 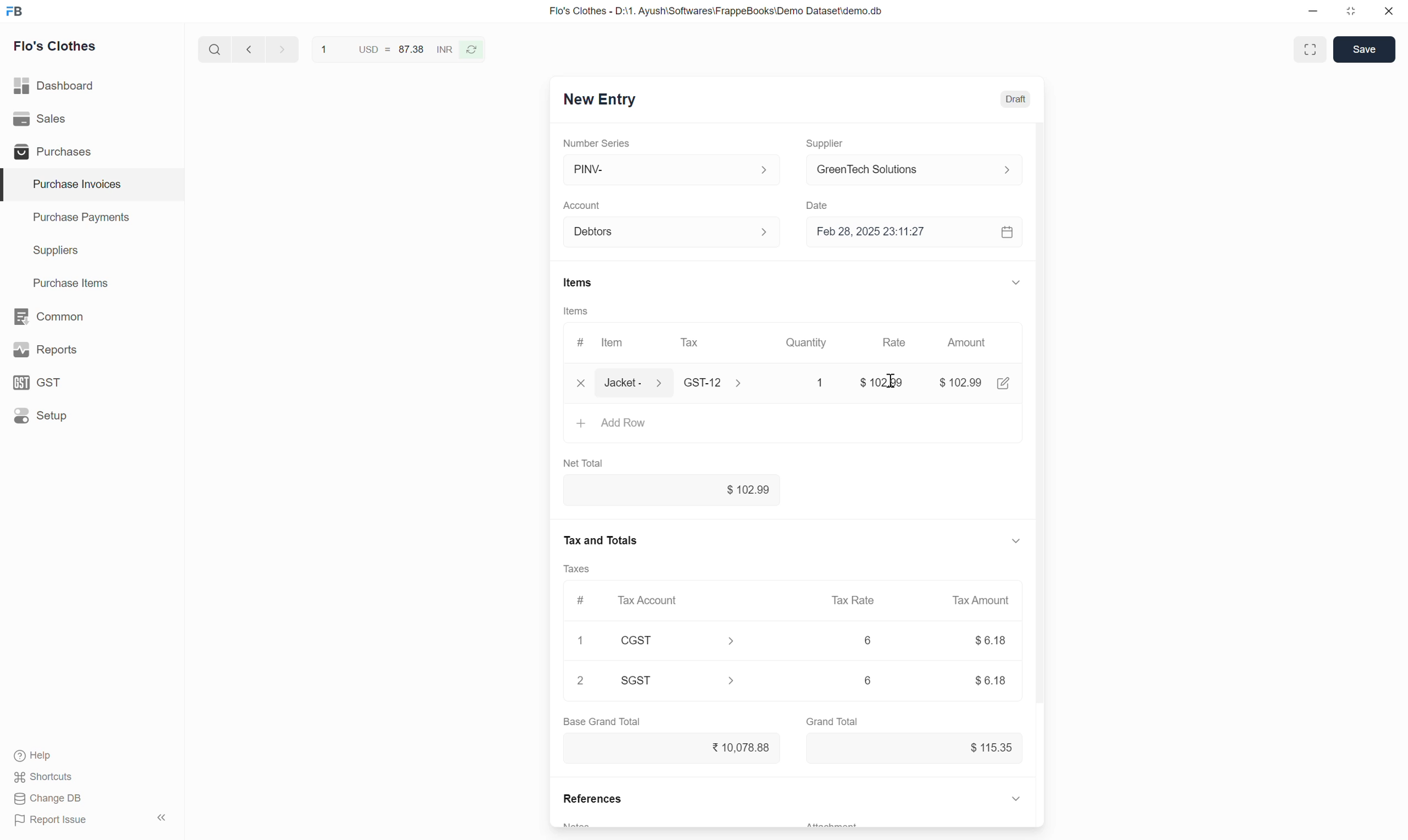 What do you see at coordinates (1041, 412) in the screenshot?
I see `Vertical slide bar` at bounding box center [1041, 412].